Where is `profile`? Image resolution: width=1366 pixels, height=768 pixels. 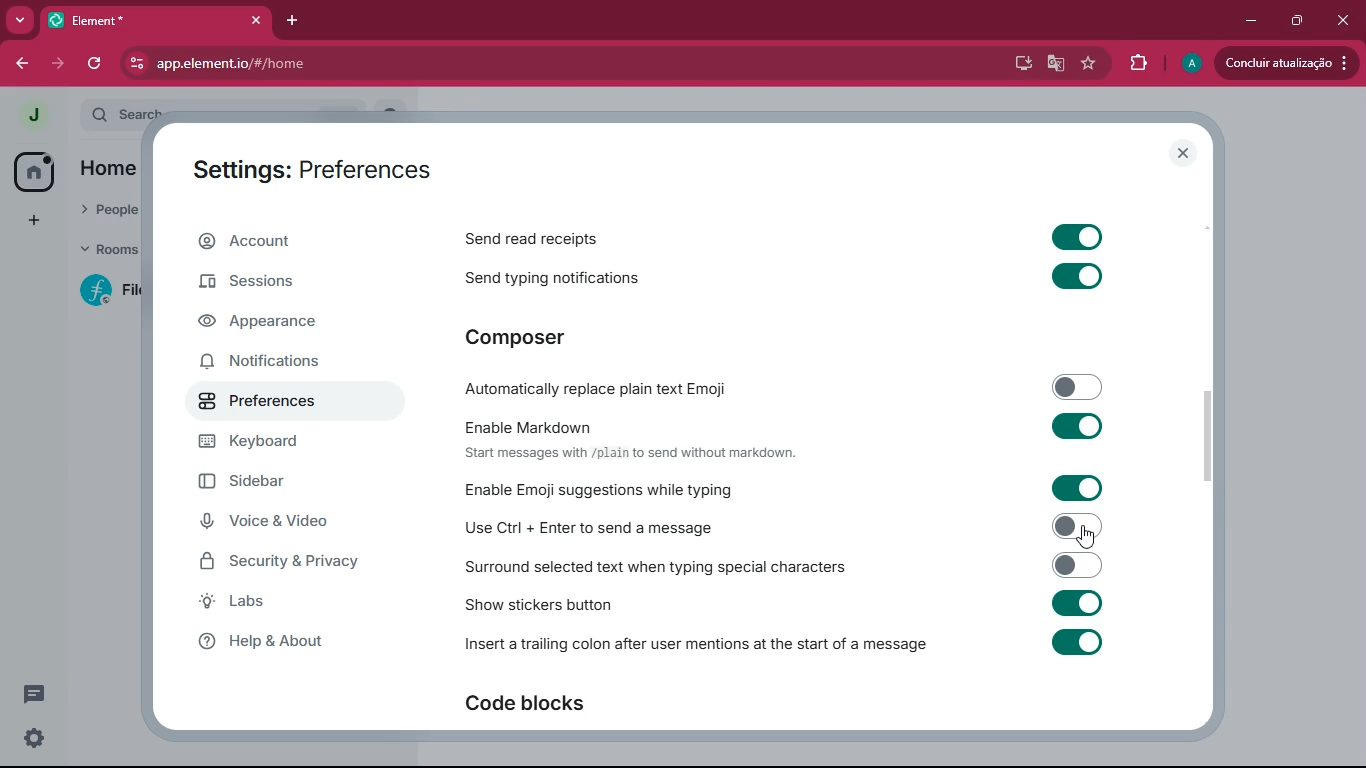 profile is located at coordinates (1190, 63).